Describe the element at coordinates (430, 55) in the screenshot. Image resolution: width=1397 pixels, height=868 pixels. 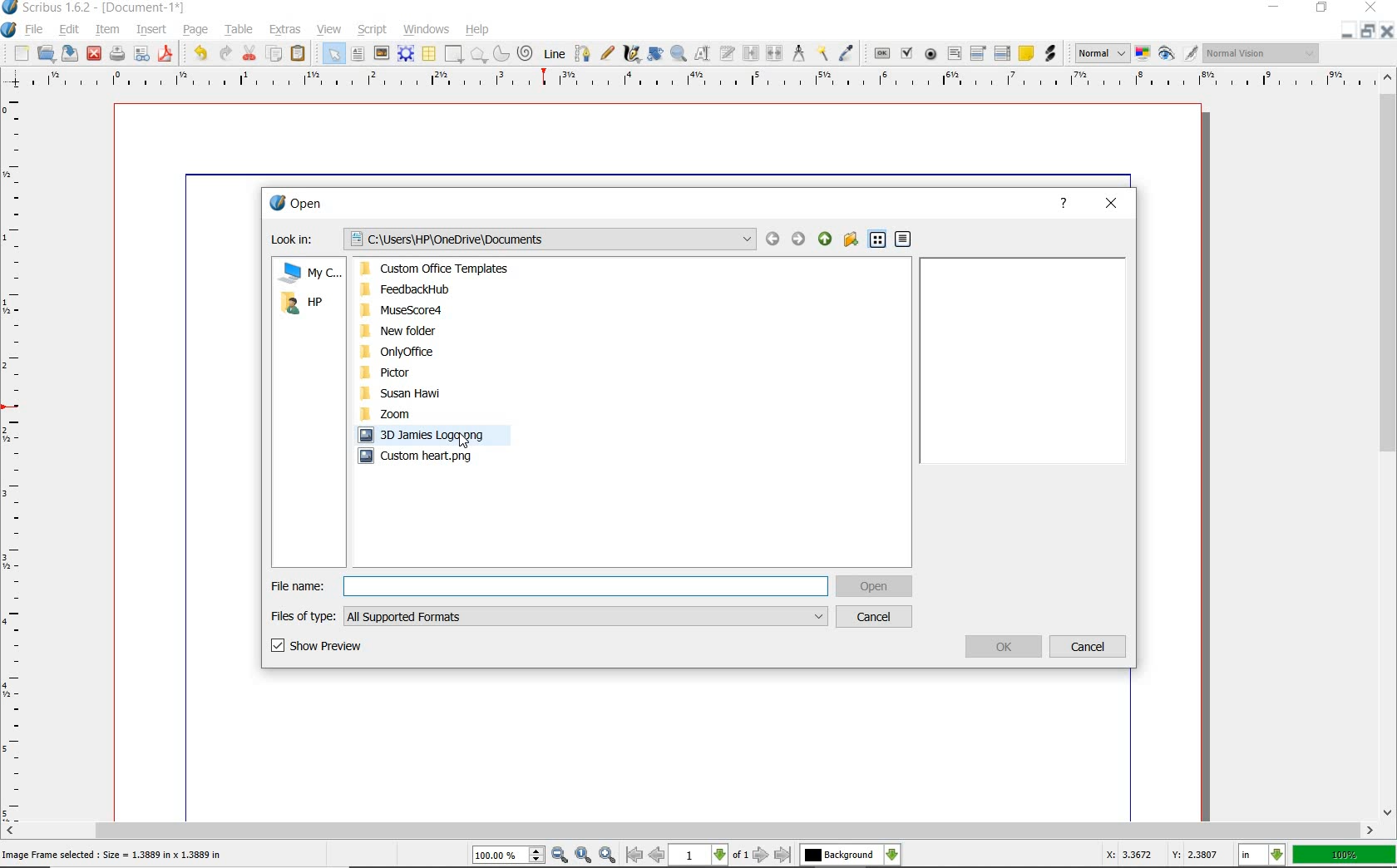
I see `table` at that location.